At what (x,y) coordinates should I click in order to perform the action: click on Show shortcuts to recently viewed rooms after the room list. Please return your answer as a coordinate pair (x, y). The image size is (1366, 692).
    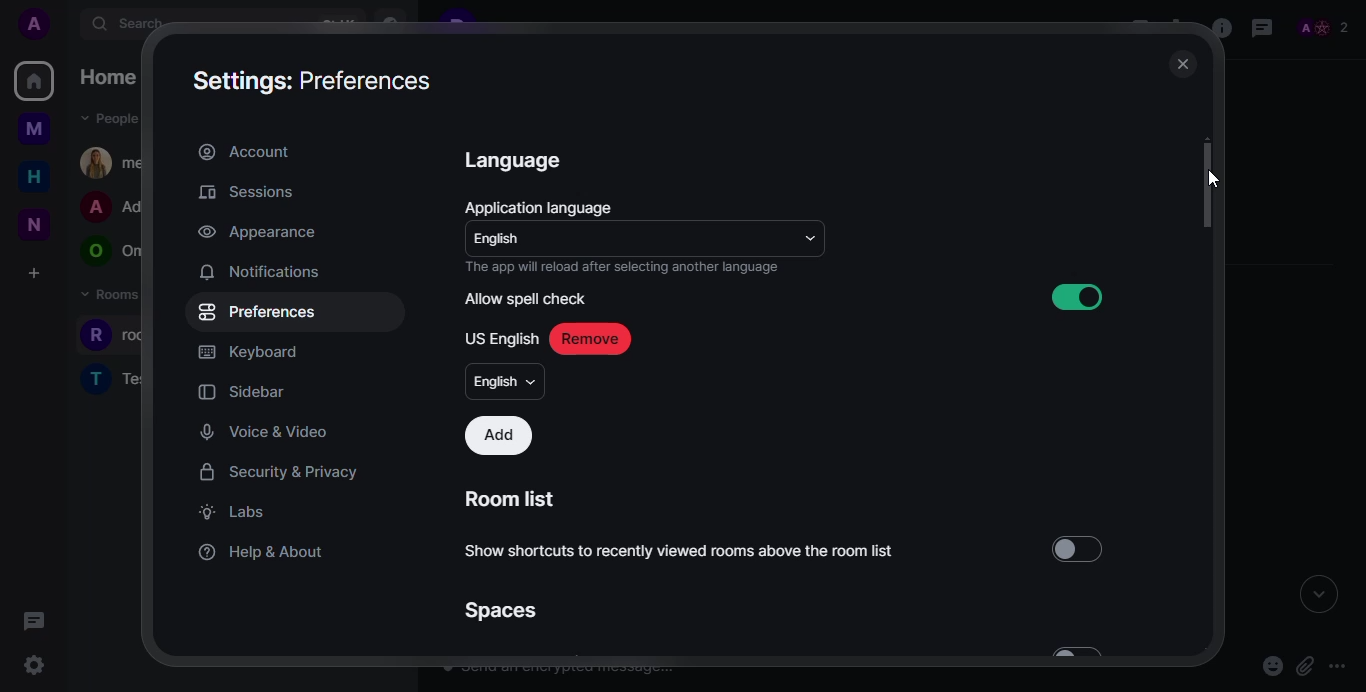
    Looking at the image, I should click on (681, 550).